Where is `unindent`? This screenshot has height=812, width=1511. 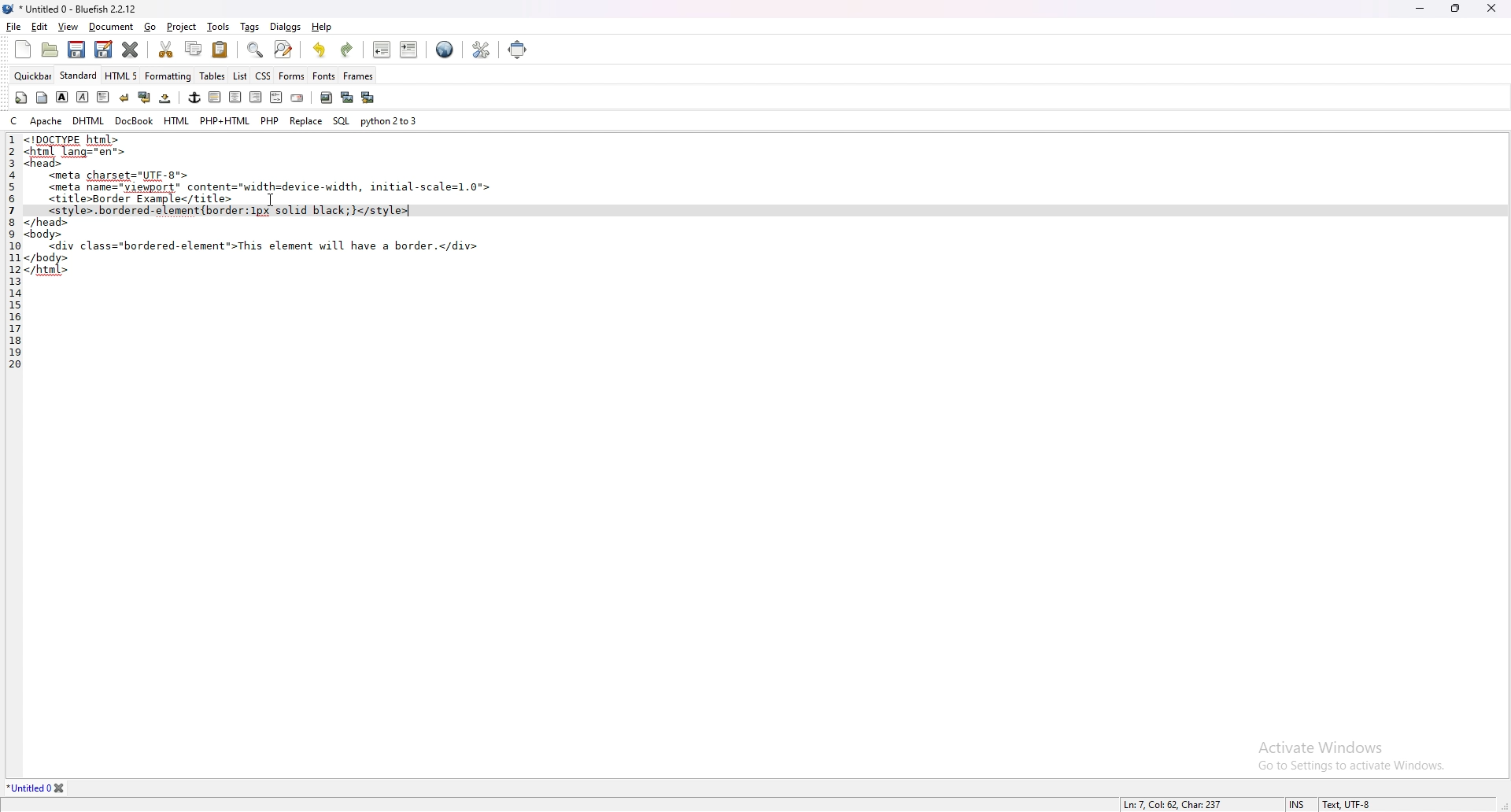 unindent is located at coordinates (381, 49).